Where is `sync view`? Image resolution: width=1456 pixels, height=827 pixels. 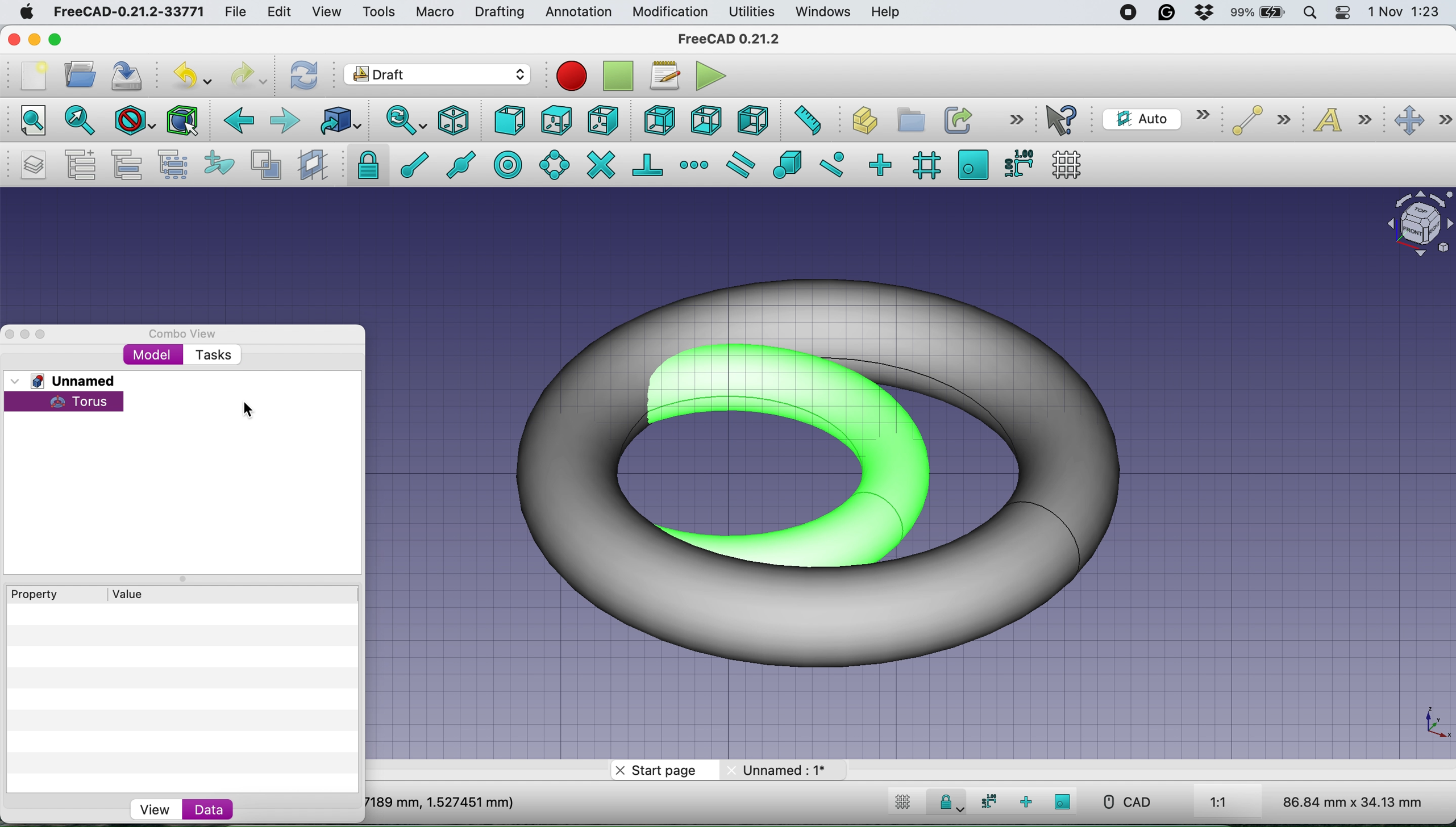 sync view is located at coordinates (405, 120).